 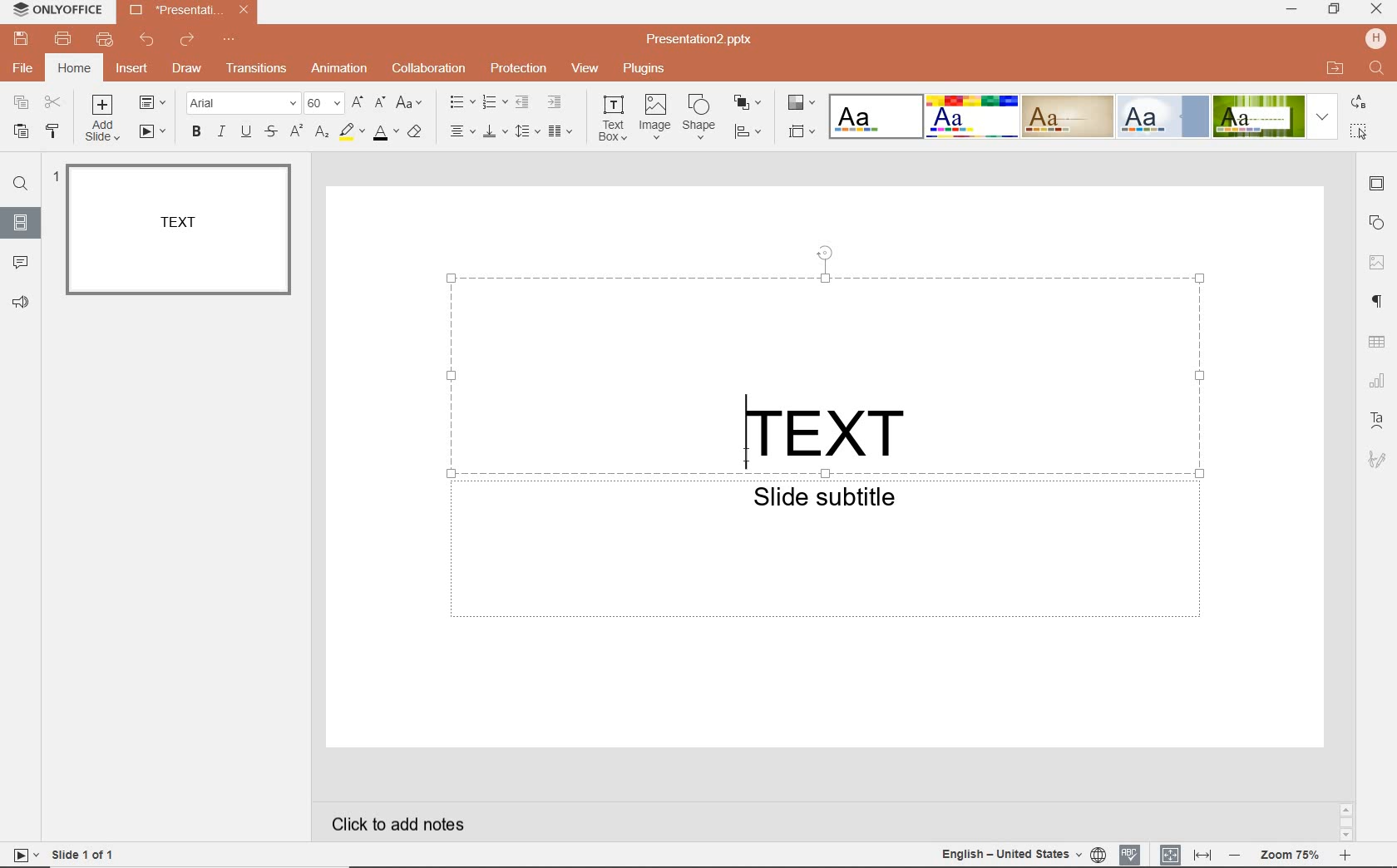 What do you see at coordinates (1379, 259) in the screenshot?
I see `IMAGE SETTINGS` at bounding box center [1379, 259].